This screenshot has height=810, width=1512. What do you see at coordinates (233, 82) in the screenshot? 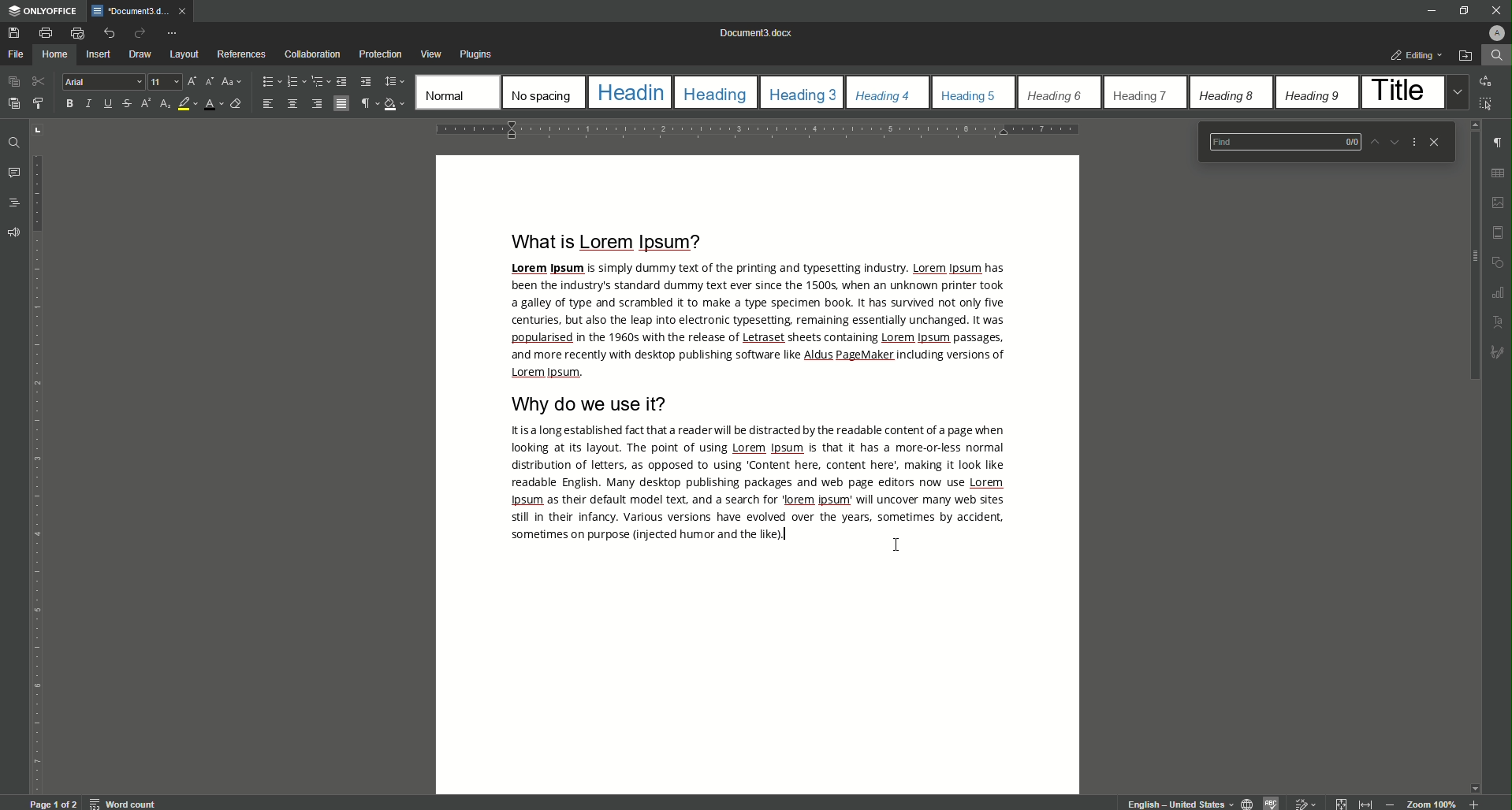
I see `Change case` at bounding box center [233, 82].